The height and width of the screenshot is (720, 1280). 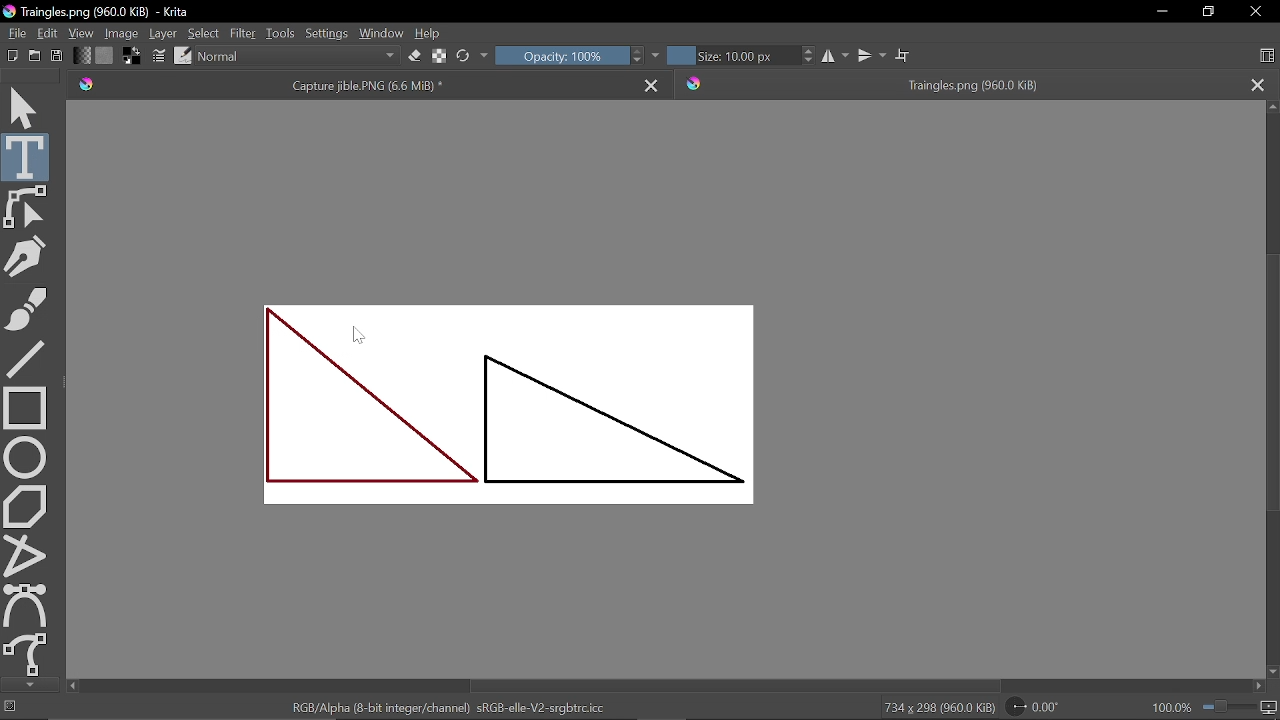 What do you see at coordinates (1272, 672) in the screenshot?
I see `Move down` at bounding box center [1272, 672].